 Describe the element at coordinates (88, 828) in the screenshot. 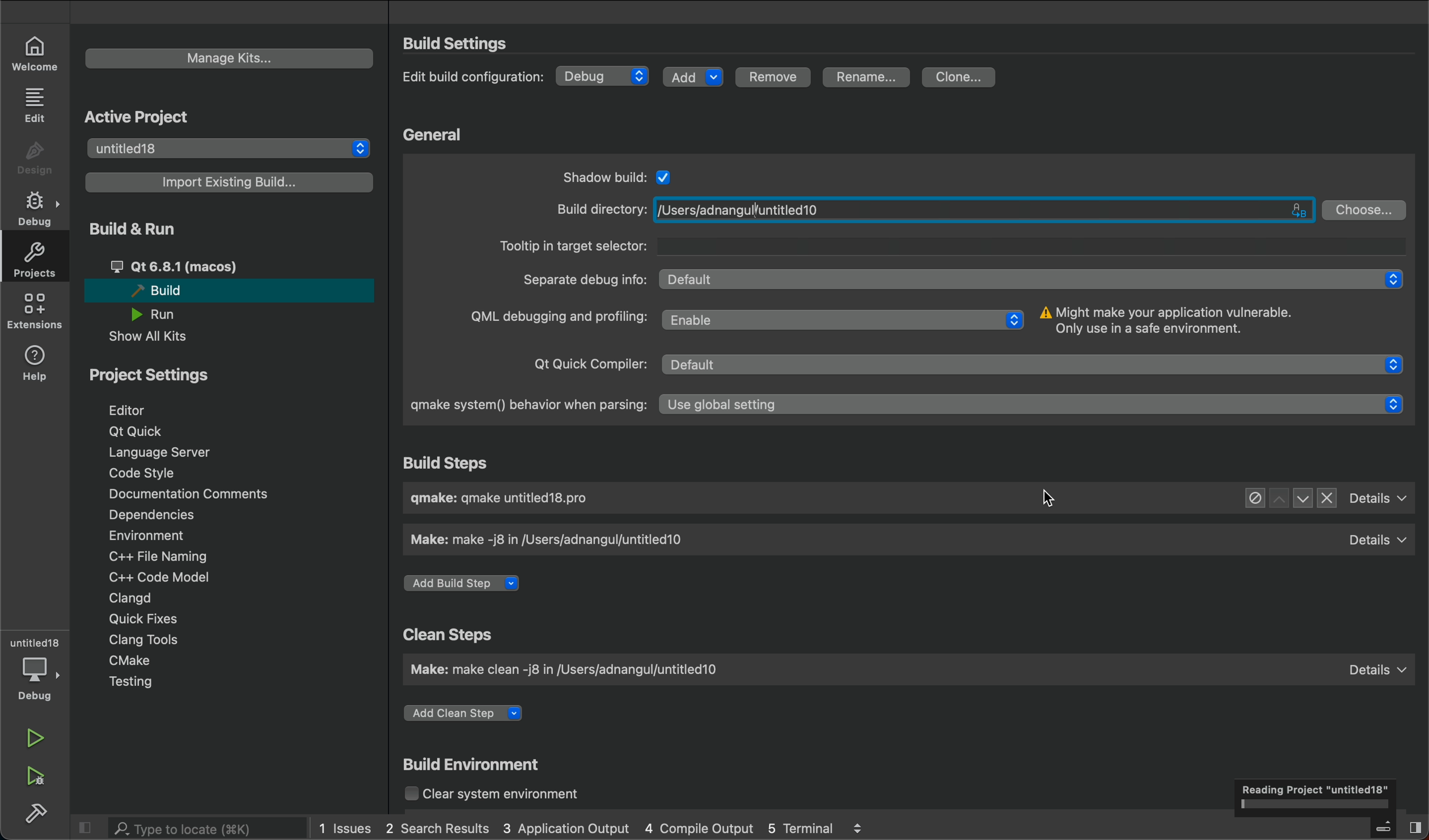

I see `close slidebar` at that location.